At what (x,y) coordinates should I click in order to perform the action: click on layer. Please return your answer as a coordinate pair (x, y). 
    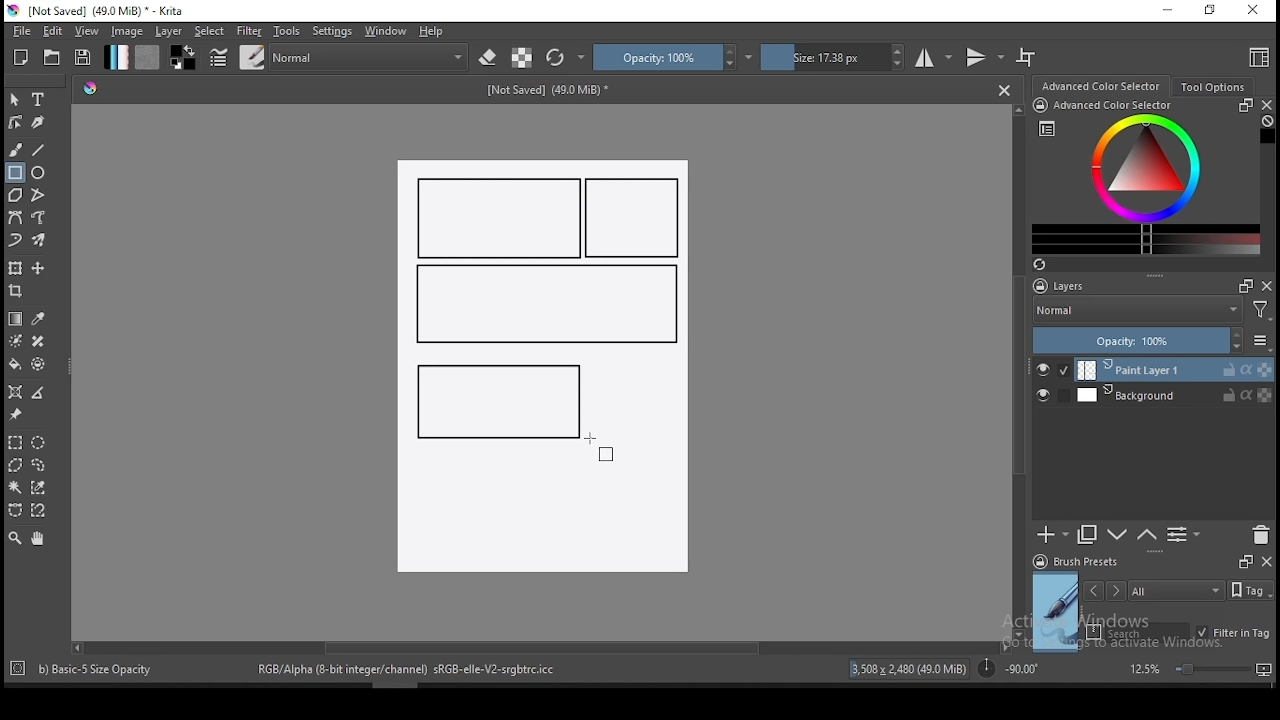
    Looking at the image, I should click on (1175, 370).